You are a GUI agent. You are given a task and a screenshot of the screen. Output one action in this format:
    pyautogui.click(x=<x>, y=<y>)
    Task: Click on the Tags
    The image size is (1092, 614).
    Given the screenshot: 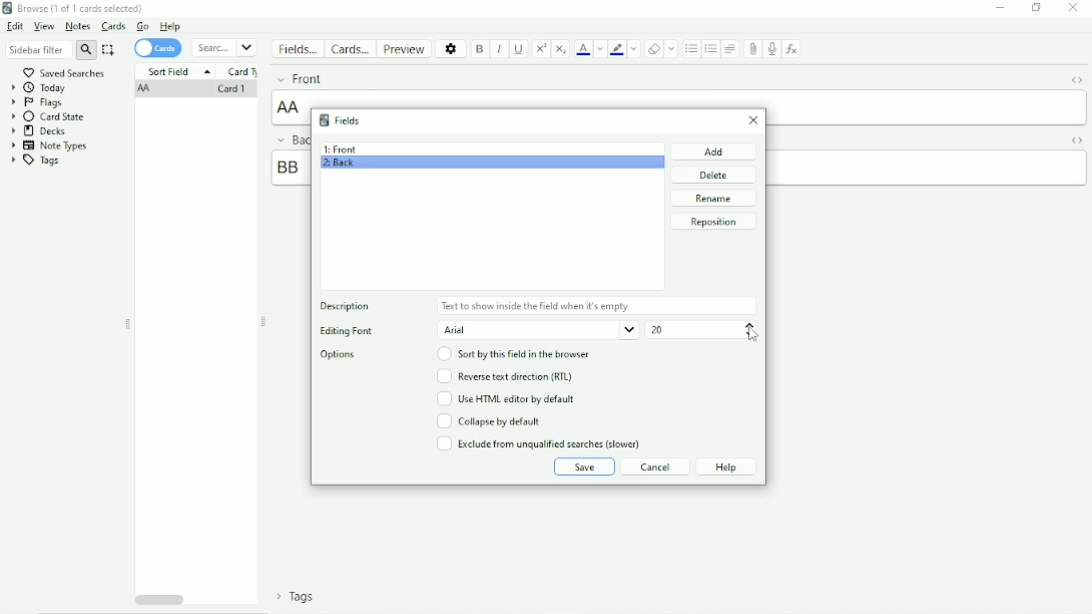 What is the action you would take?
    pyautogui.click(x=35, y=161)
    